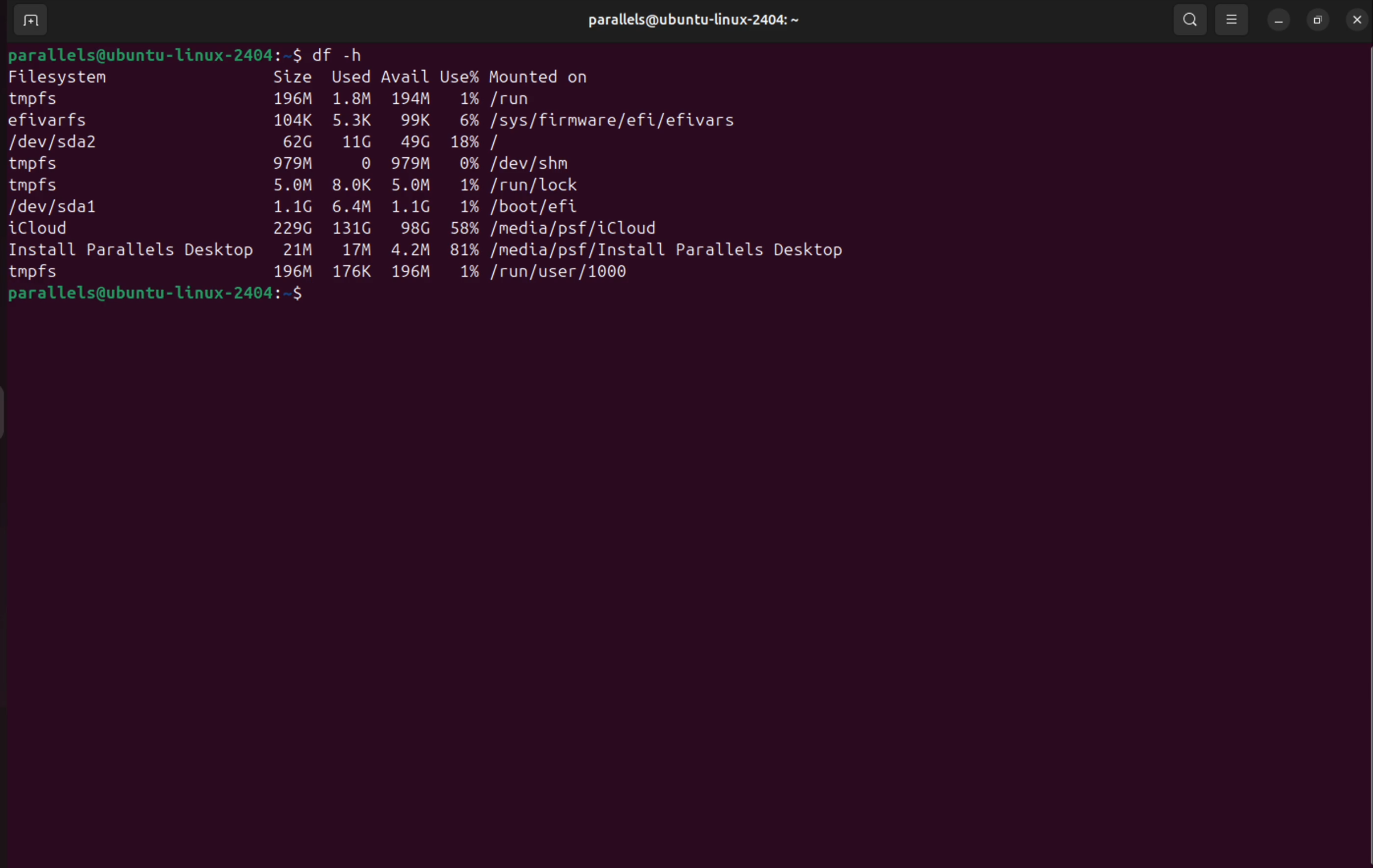  Describe the element at coordinates (298, 162) in the screenshot. I see `979M` at that location.